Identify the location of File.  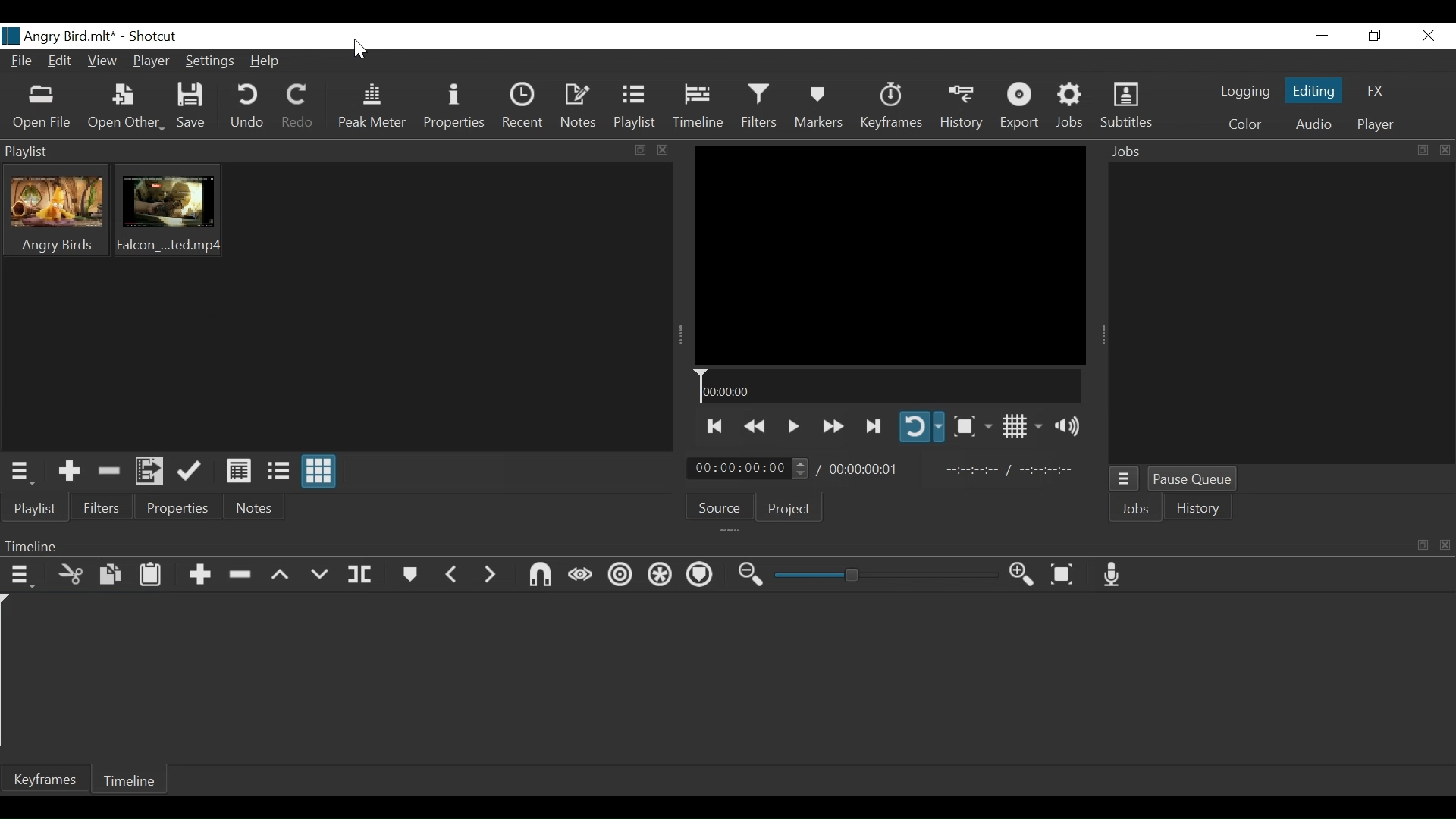
(21, 59).